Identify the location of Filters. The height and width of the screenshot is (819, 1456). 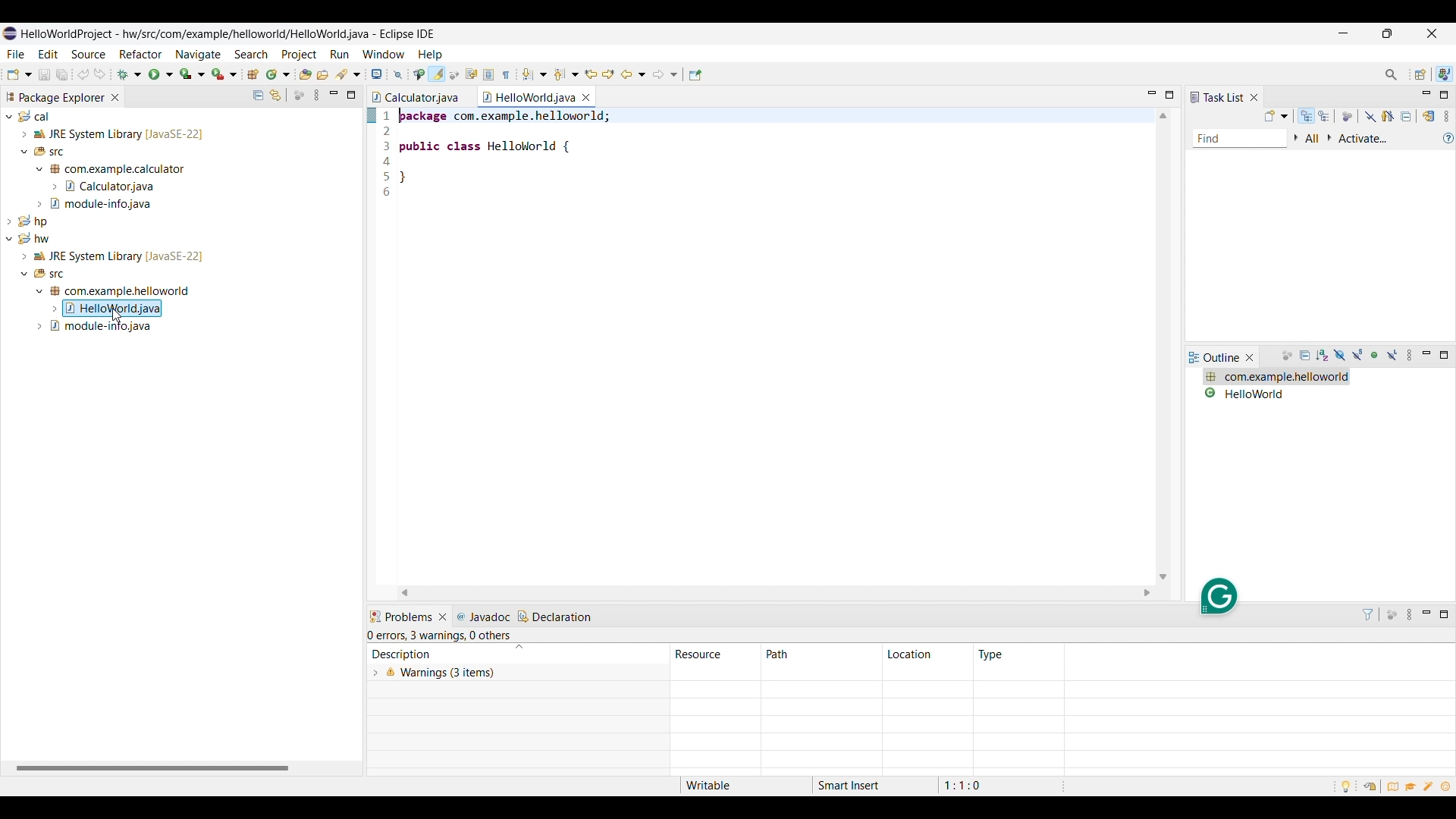
(1368, 614).